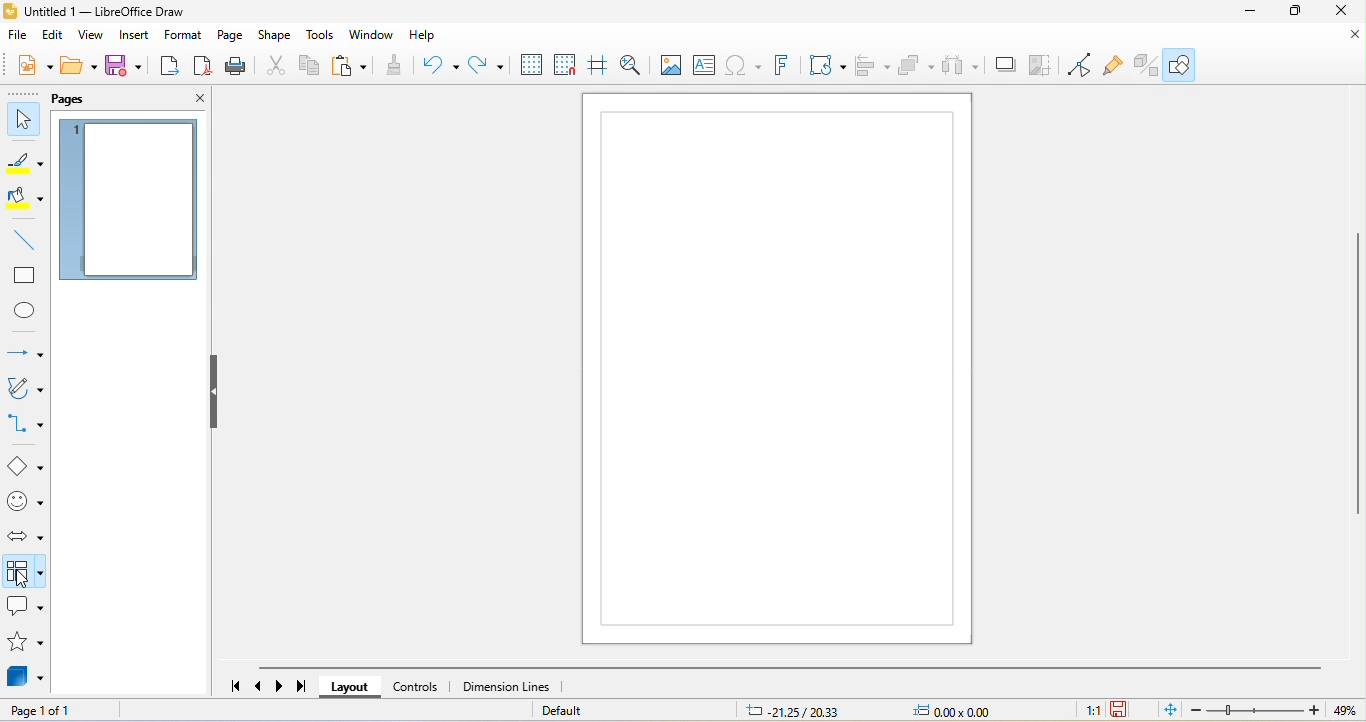 The image size is (1366, 722). Describe the element at coordinates (28, 679) in the screenshot. I see `3d object` at that location.